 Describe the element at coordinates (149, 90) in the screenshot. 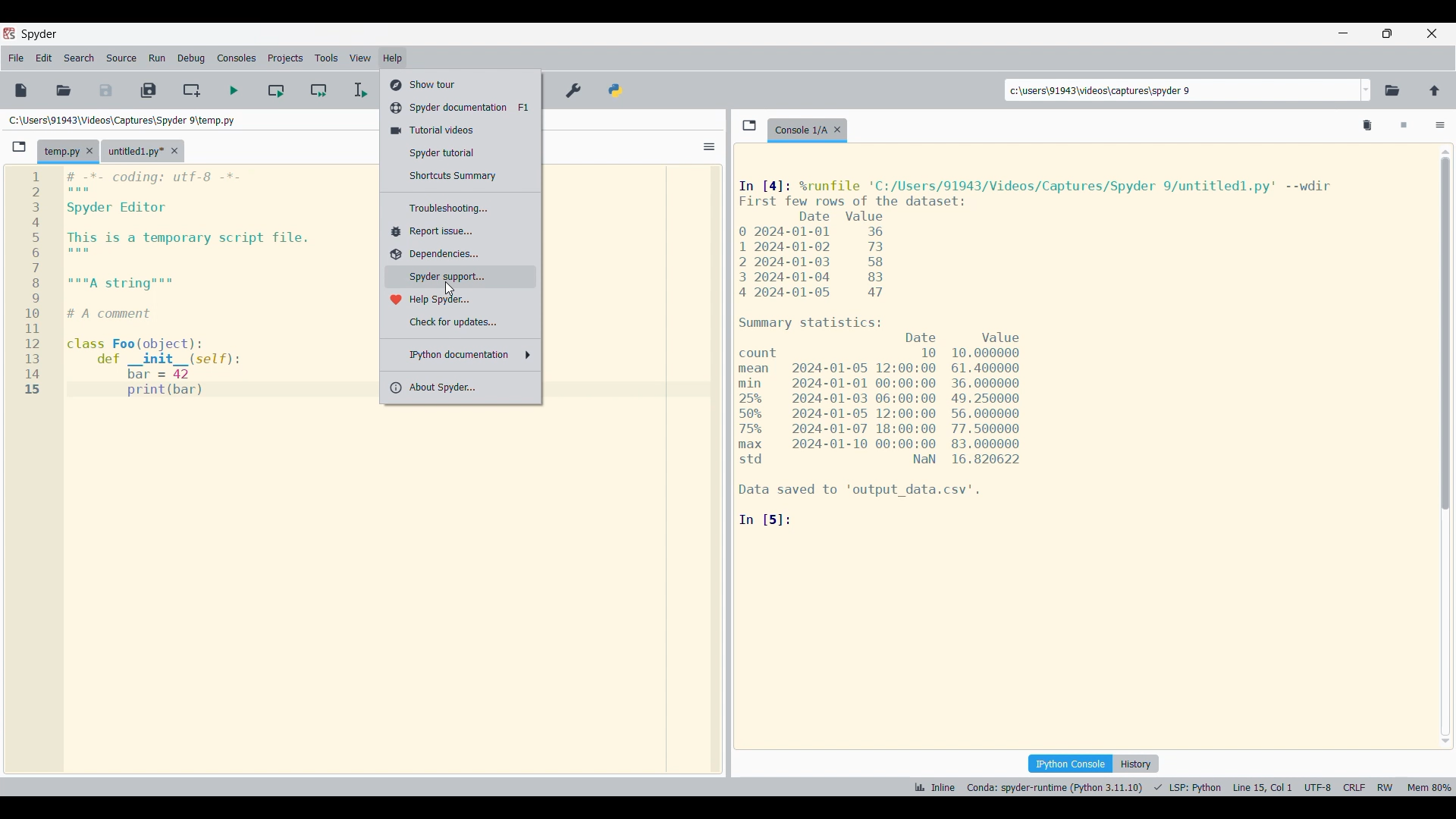

I see `Save all files` at that location.